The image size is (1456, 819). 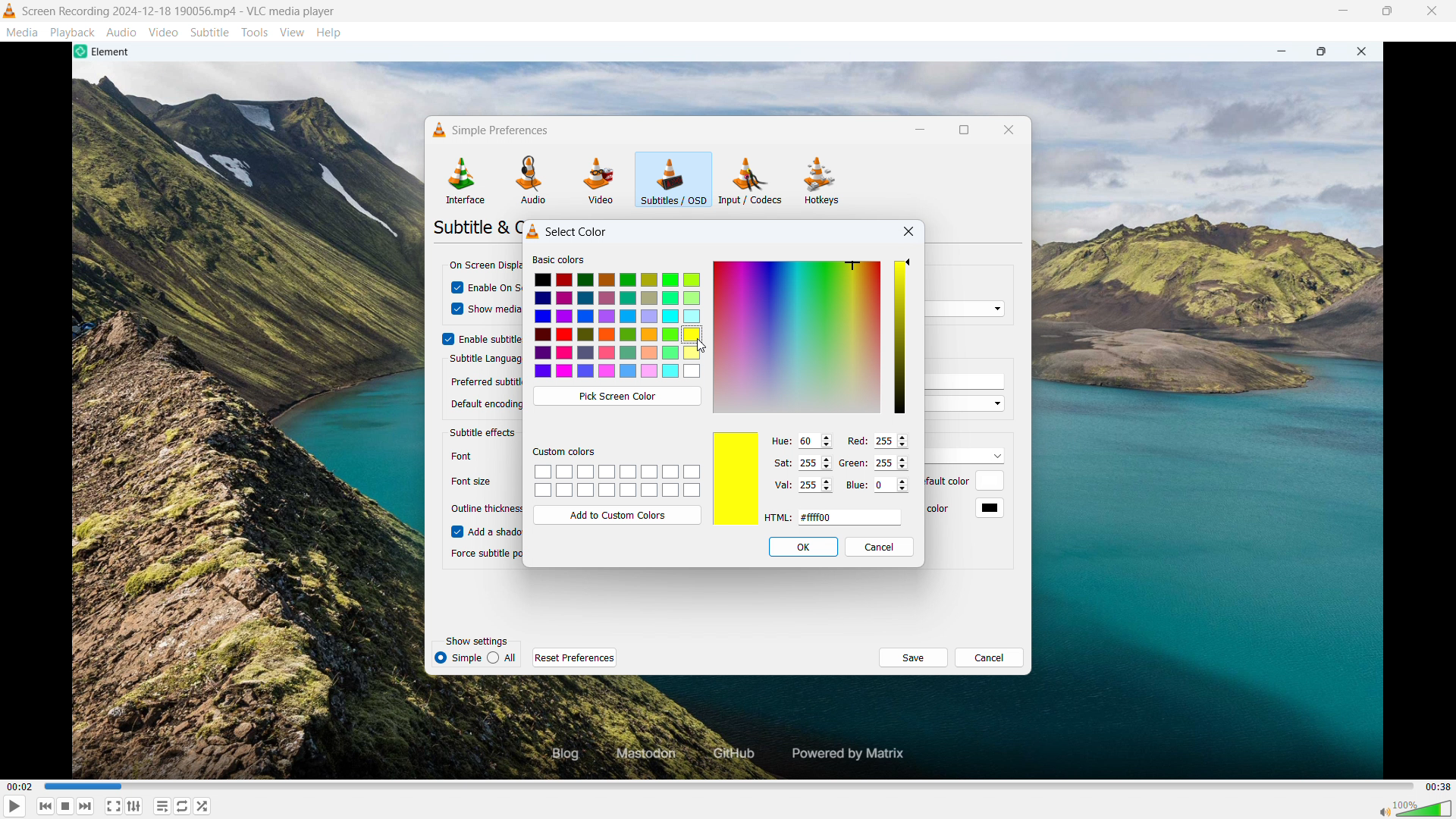 I want to click on Full screen , so click(x=114, y=805).